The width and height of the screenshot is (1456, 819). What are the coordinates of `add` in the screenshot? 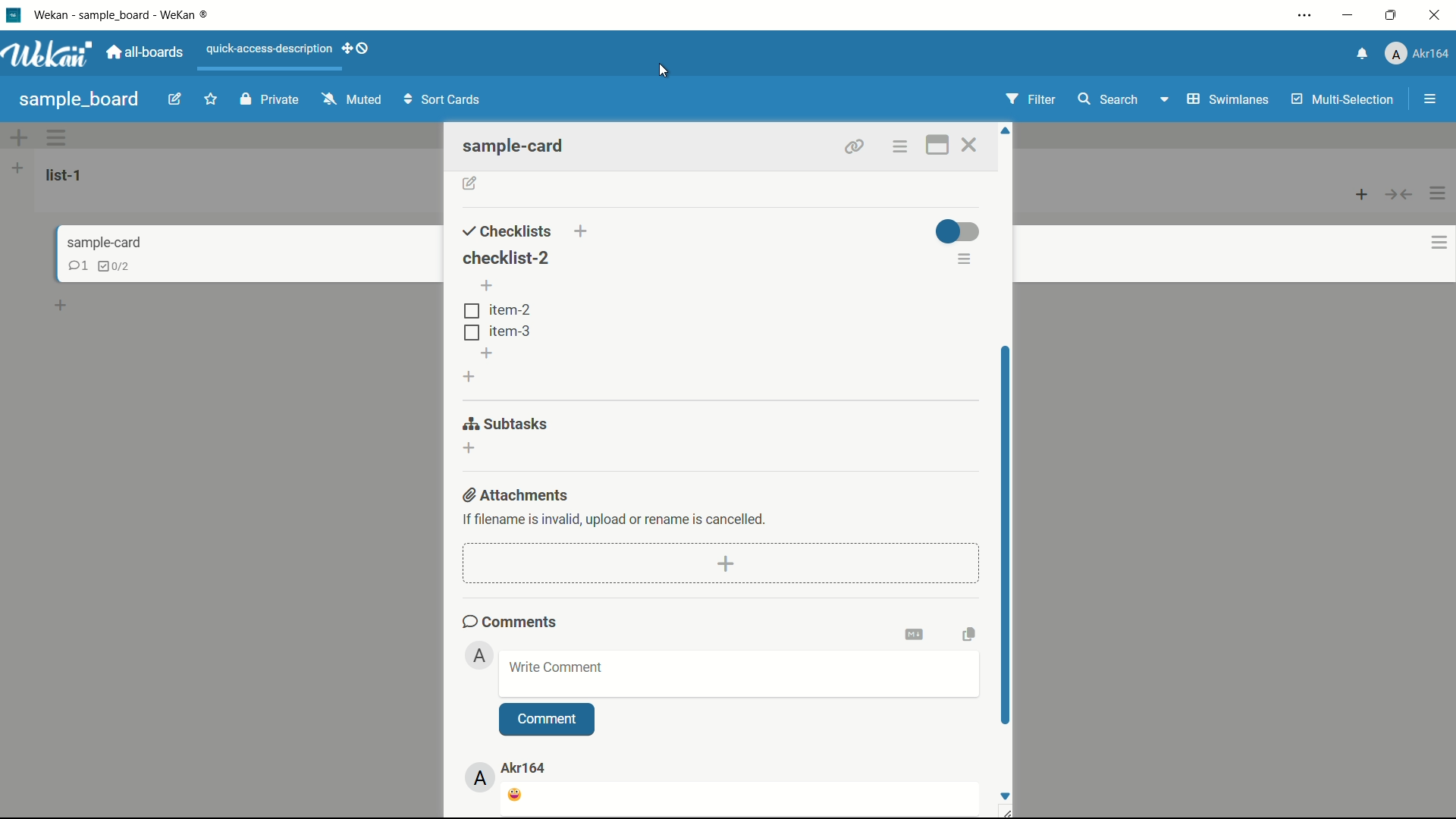 It's located at (63, 308).